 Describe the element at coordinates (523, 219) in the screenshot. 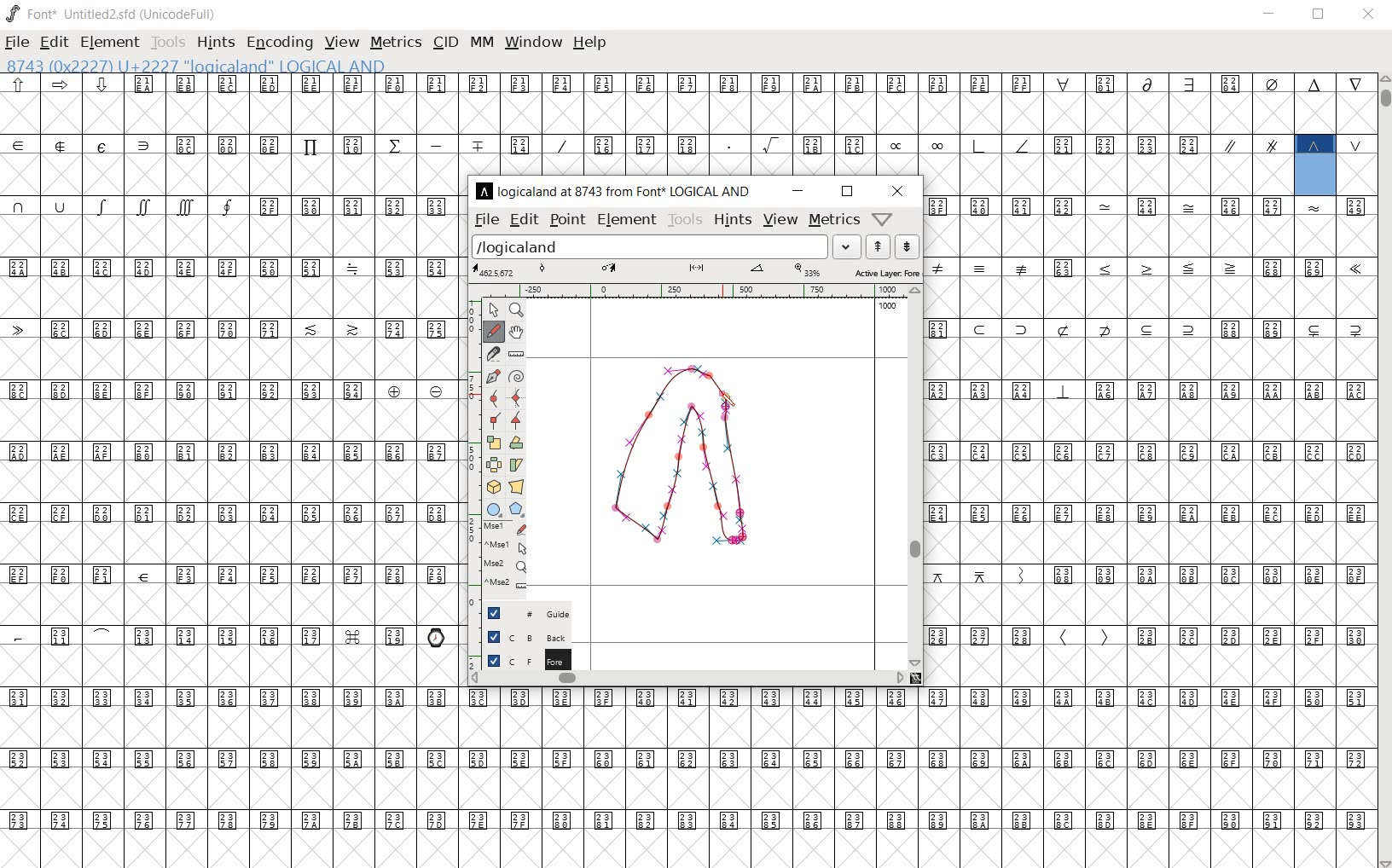

I see `edit` at that location.